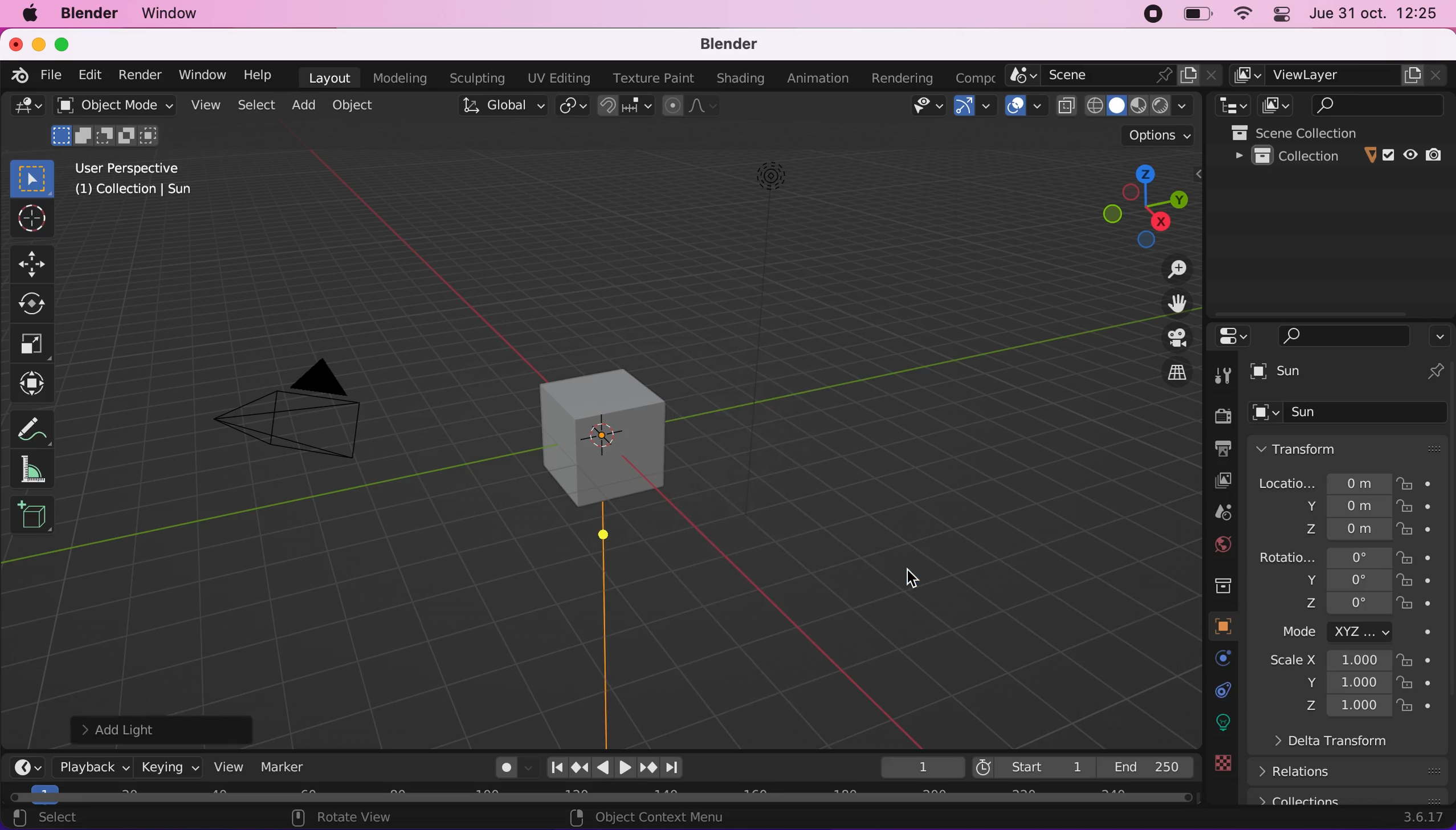  I want to click on Jump to keyframe, so click(649, 768).